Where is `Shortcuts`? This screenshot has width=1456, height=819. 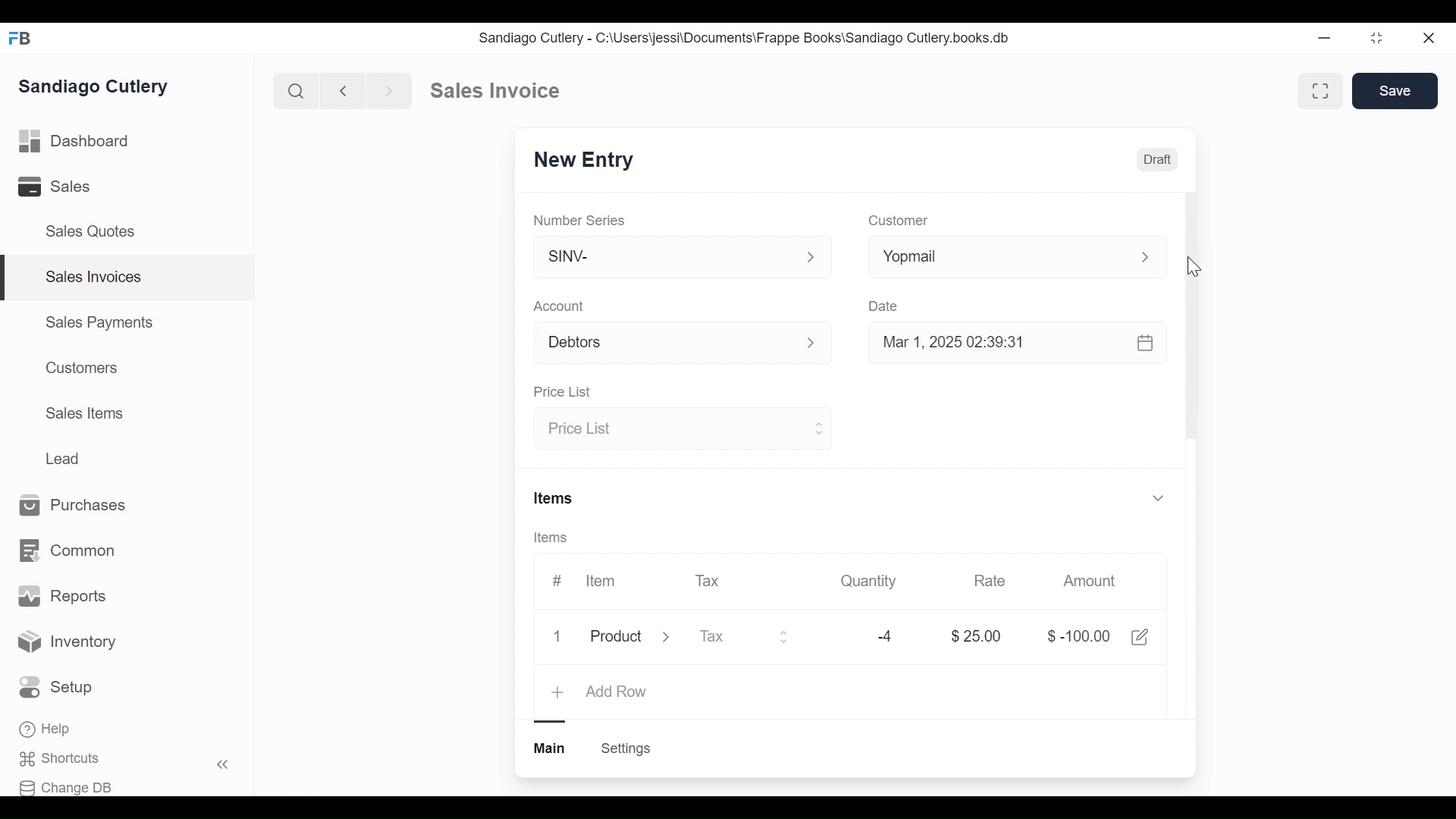 Shortcuts is located at coordinates (58, 758).